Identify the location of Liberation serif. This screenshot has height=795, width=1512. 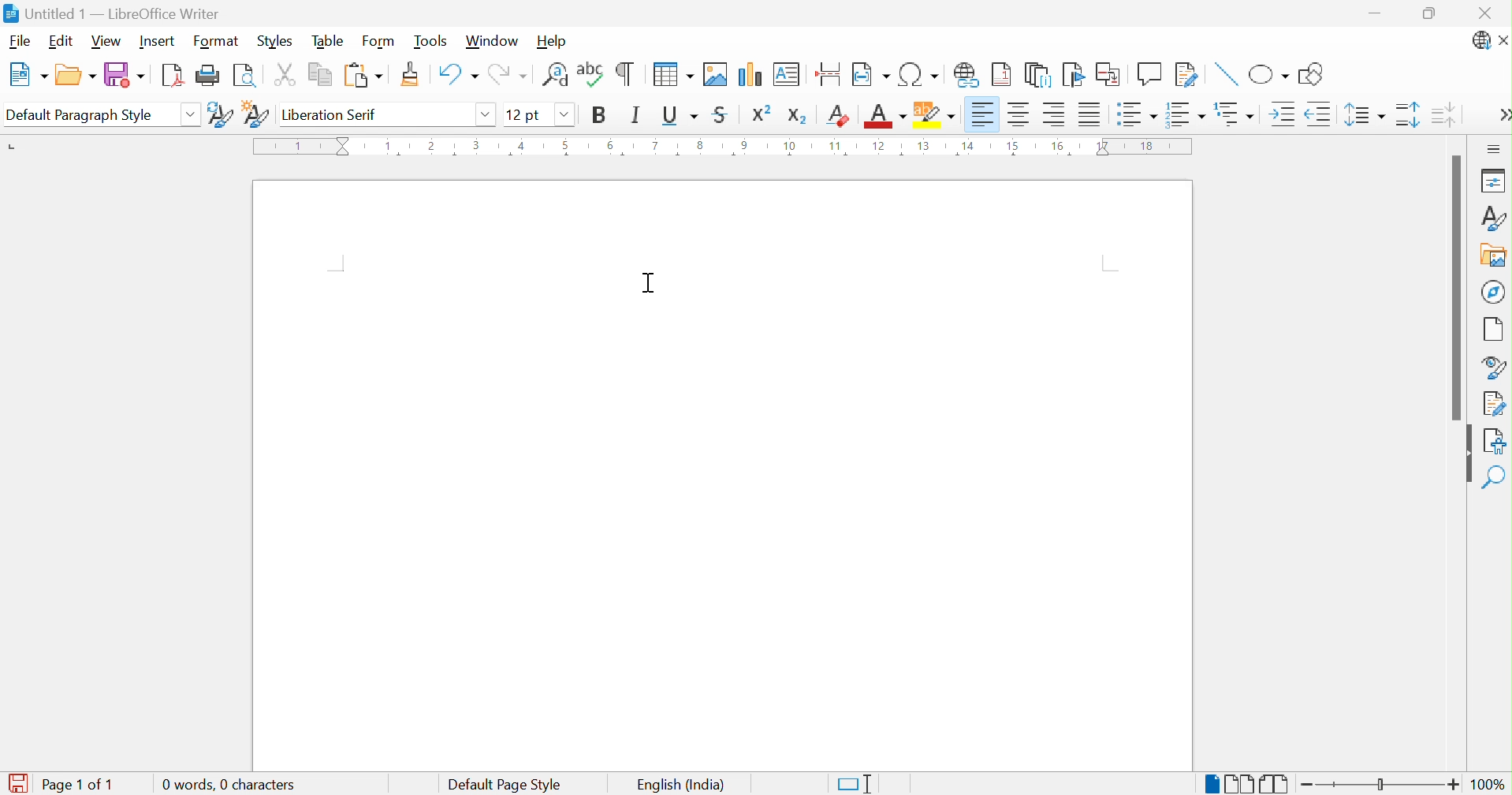
(333, 114).